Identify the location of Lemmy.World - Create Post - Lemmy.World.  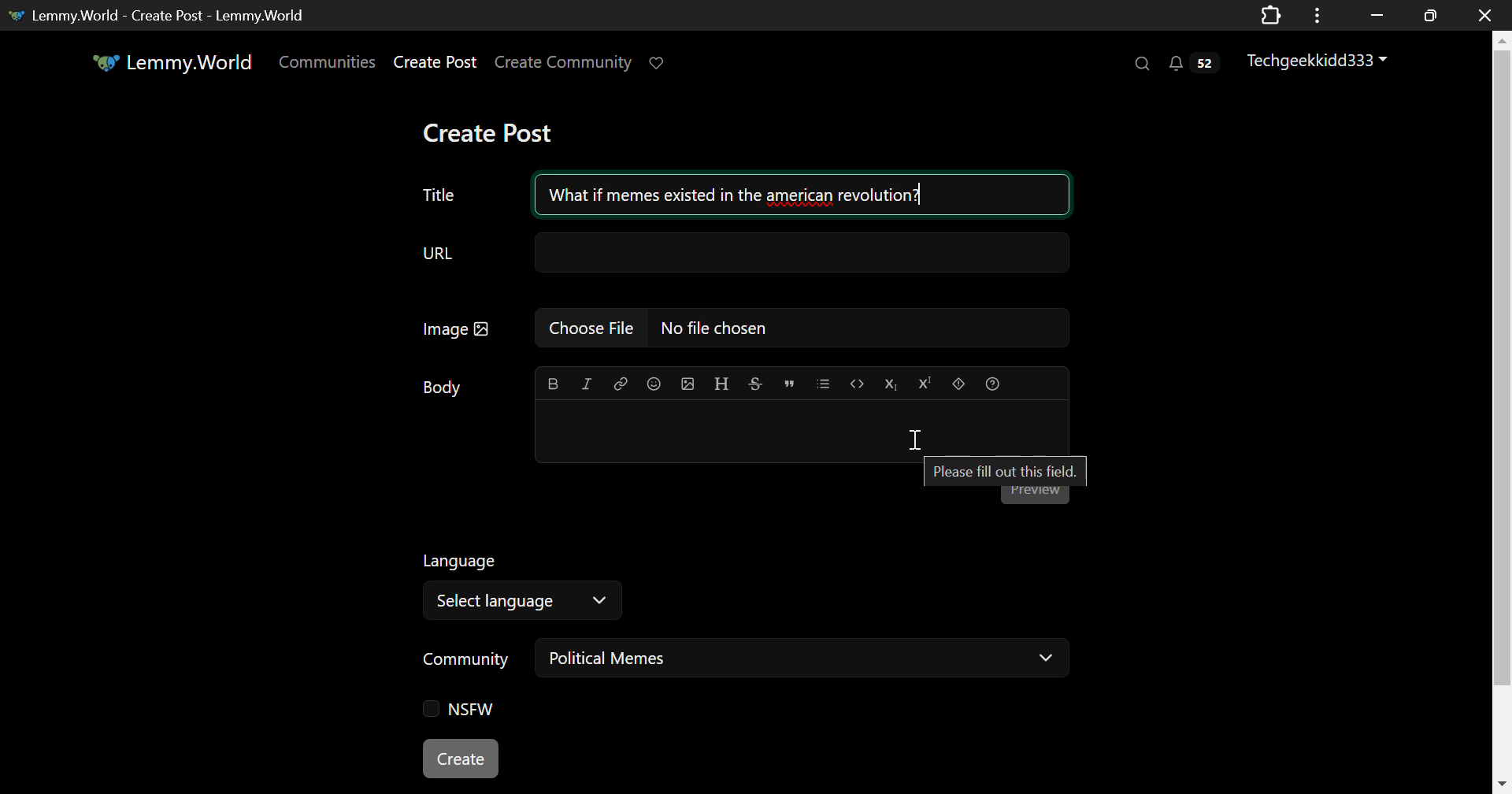
(169, 15).